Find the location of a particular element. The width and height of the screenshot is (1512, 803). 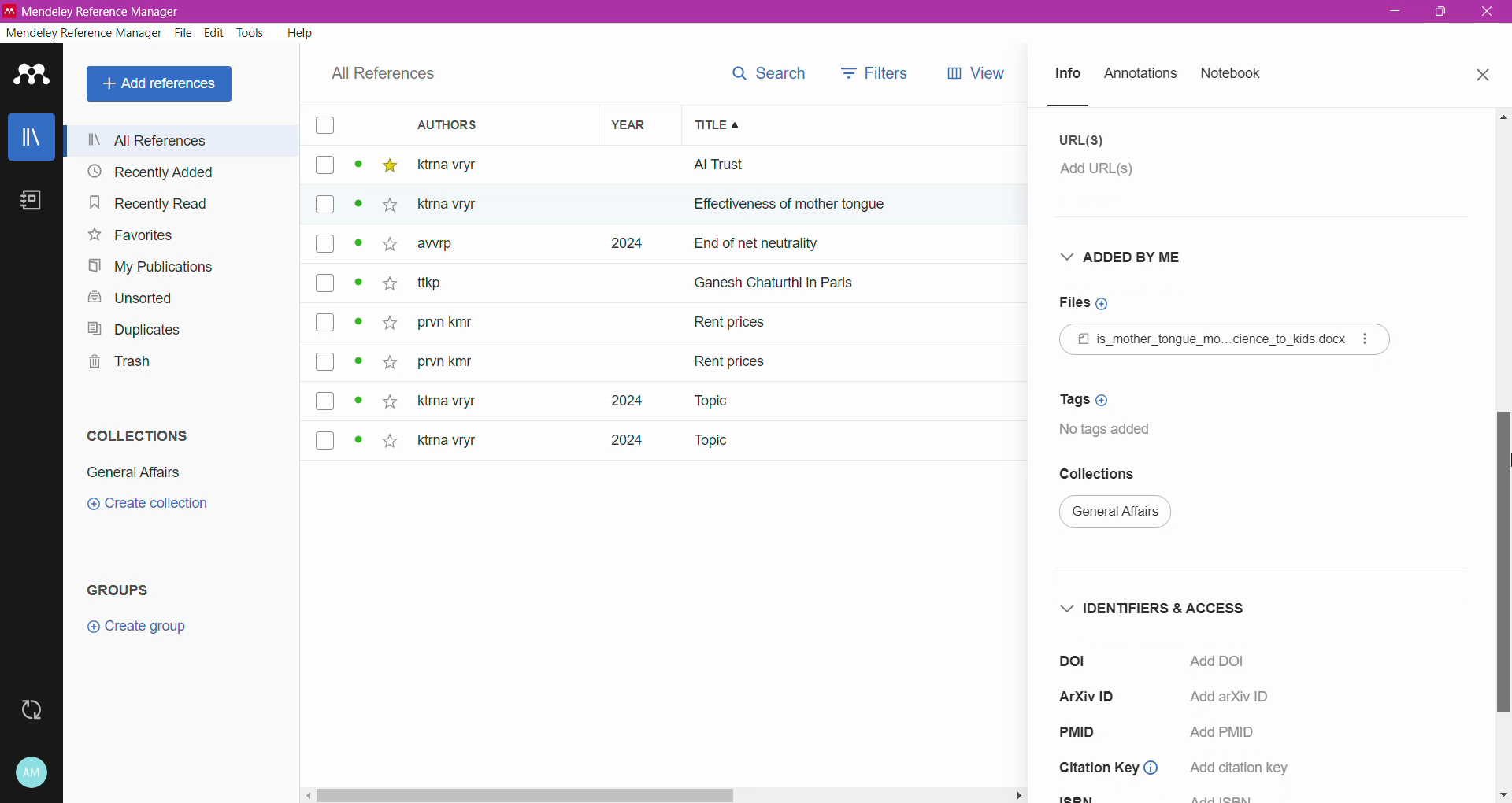

Add PMID is located at coordinates (1229, 732).